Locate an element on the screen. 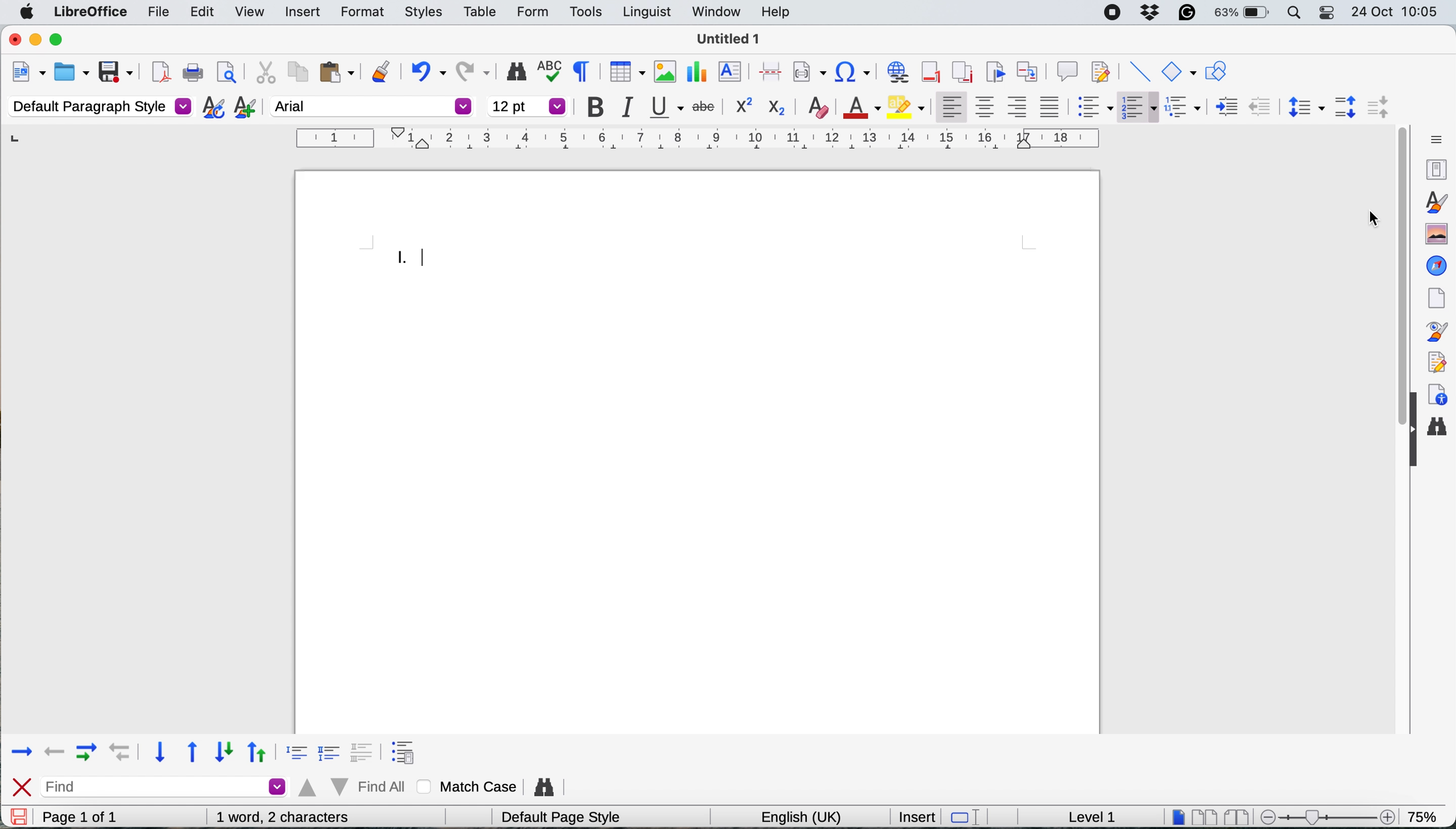 Image resolution: width=1456 pixels, height=829 pixels. manage changes is located at coordinates (1433, 361).